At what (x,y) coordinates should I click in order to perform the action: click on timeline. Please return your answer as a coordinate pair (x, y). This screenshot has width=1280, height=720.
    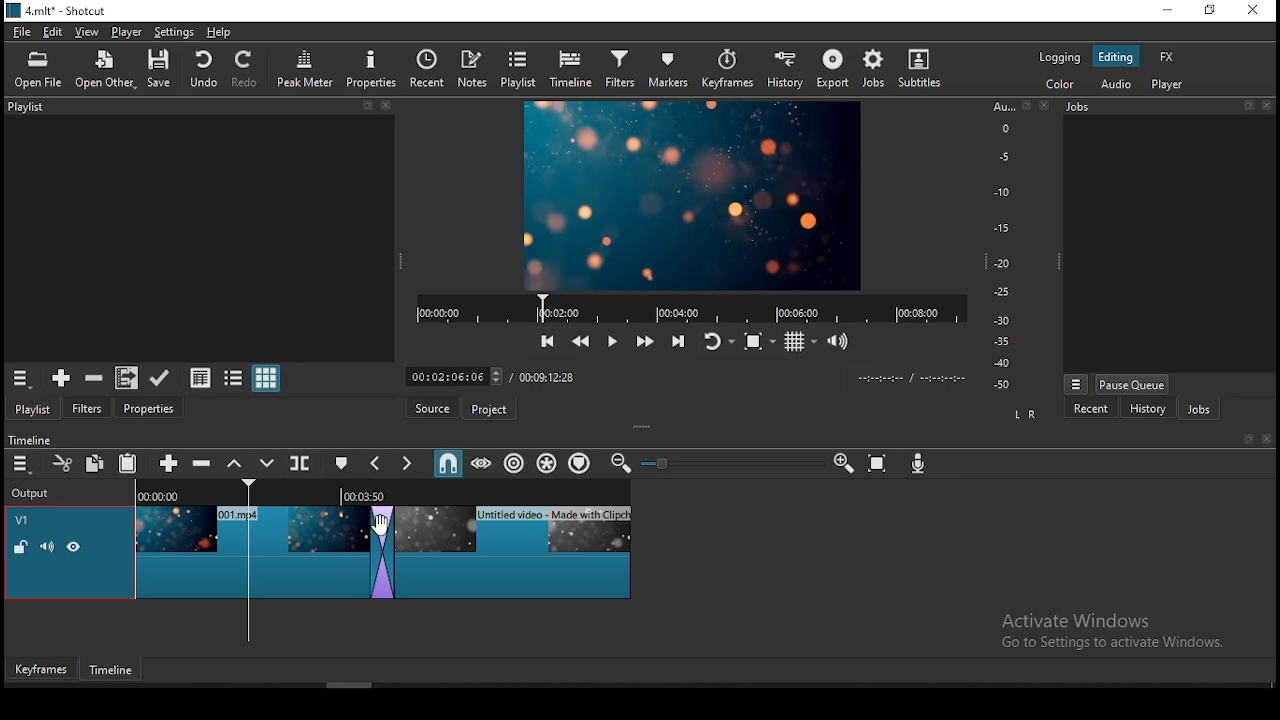
    Looking at the image, I should click on (111, 670).